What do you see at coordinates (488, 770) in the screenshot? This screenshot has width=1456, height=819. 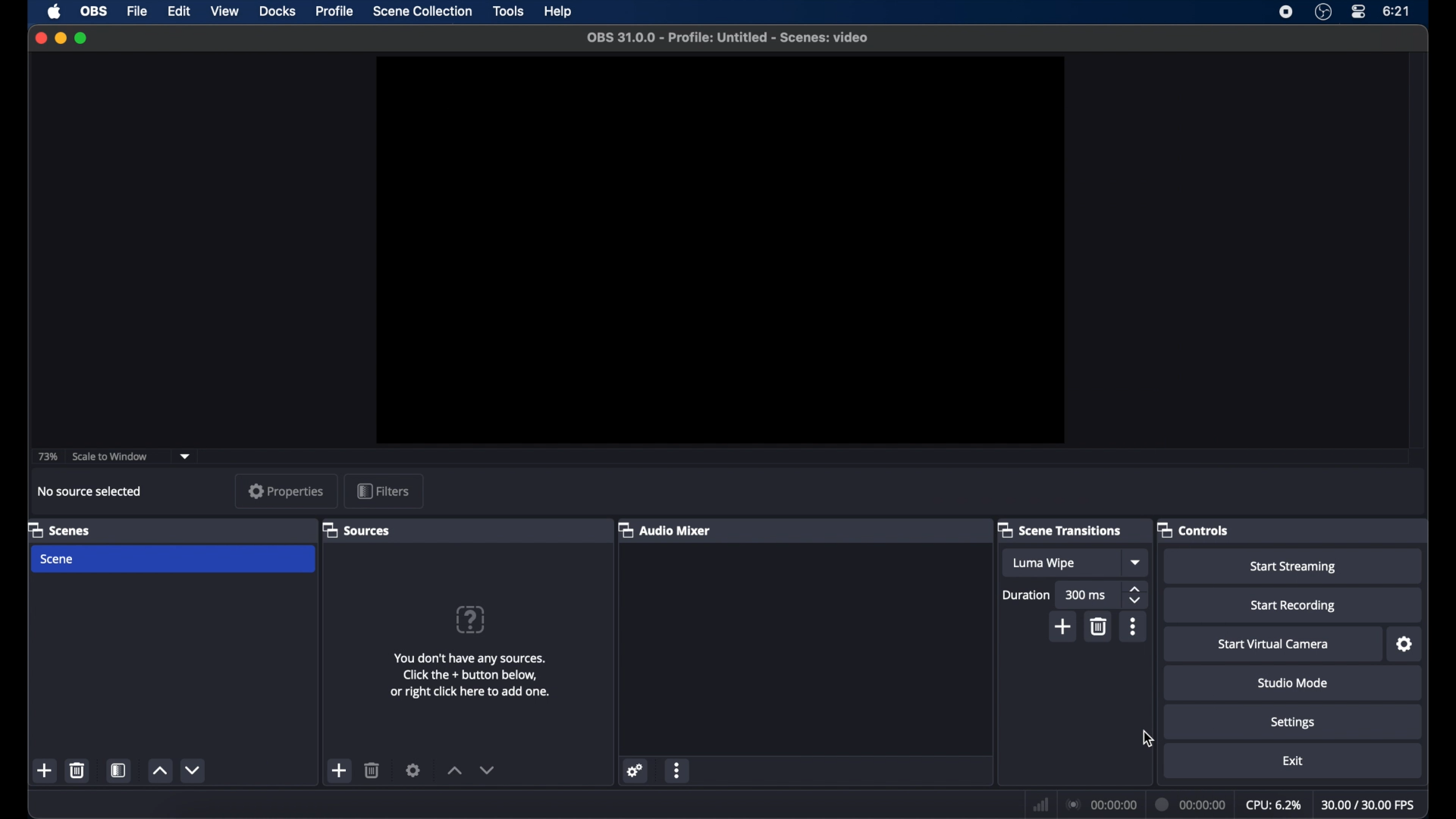 I see `decrement` at bounding box center [488, 770].